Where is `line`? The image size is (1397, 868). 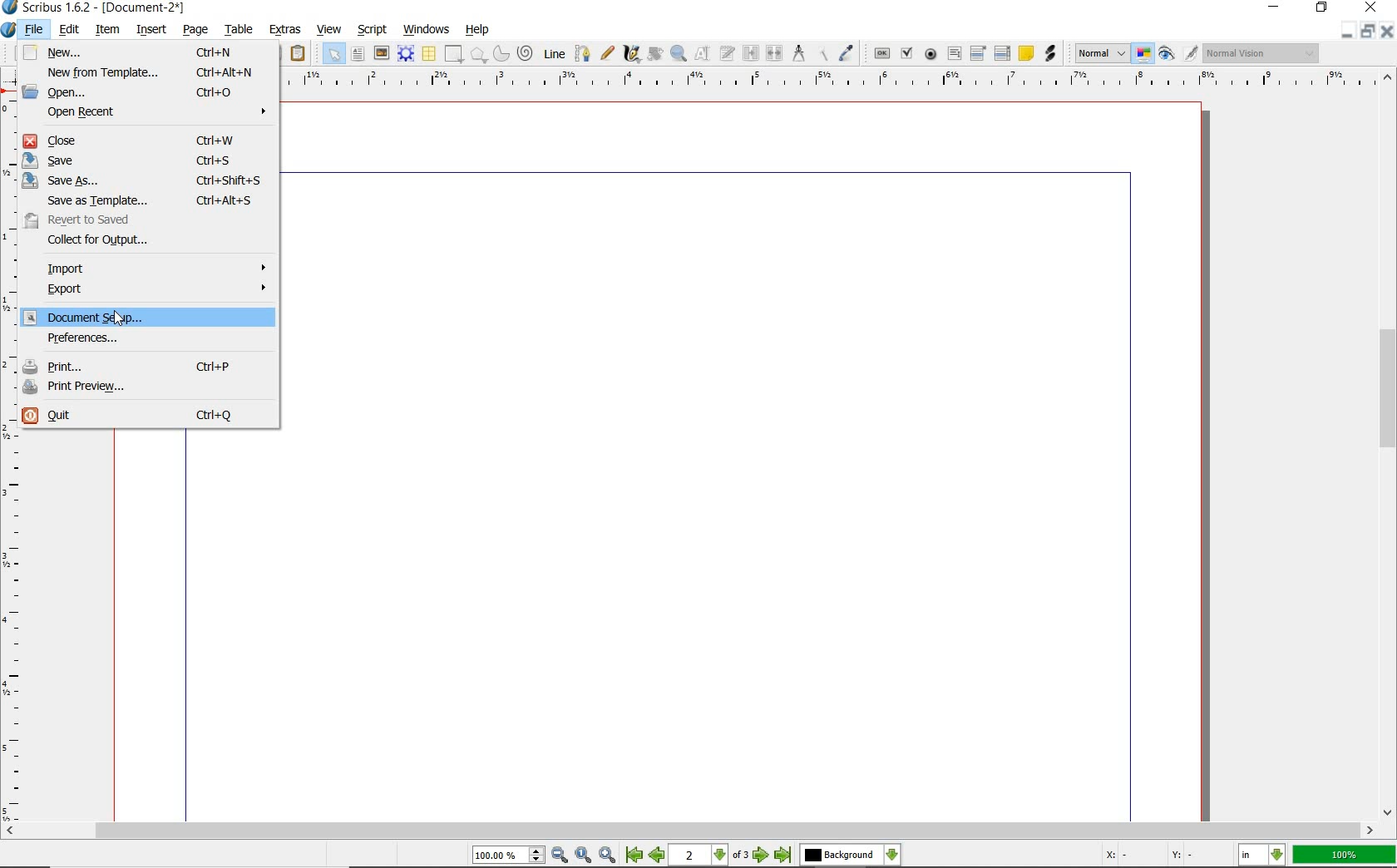
line is located at coordinates (555, 53).